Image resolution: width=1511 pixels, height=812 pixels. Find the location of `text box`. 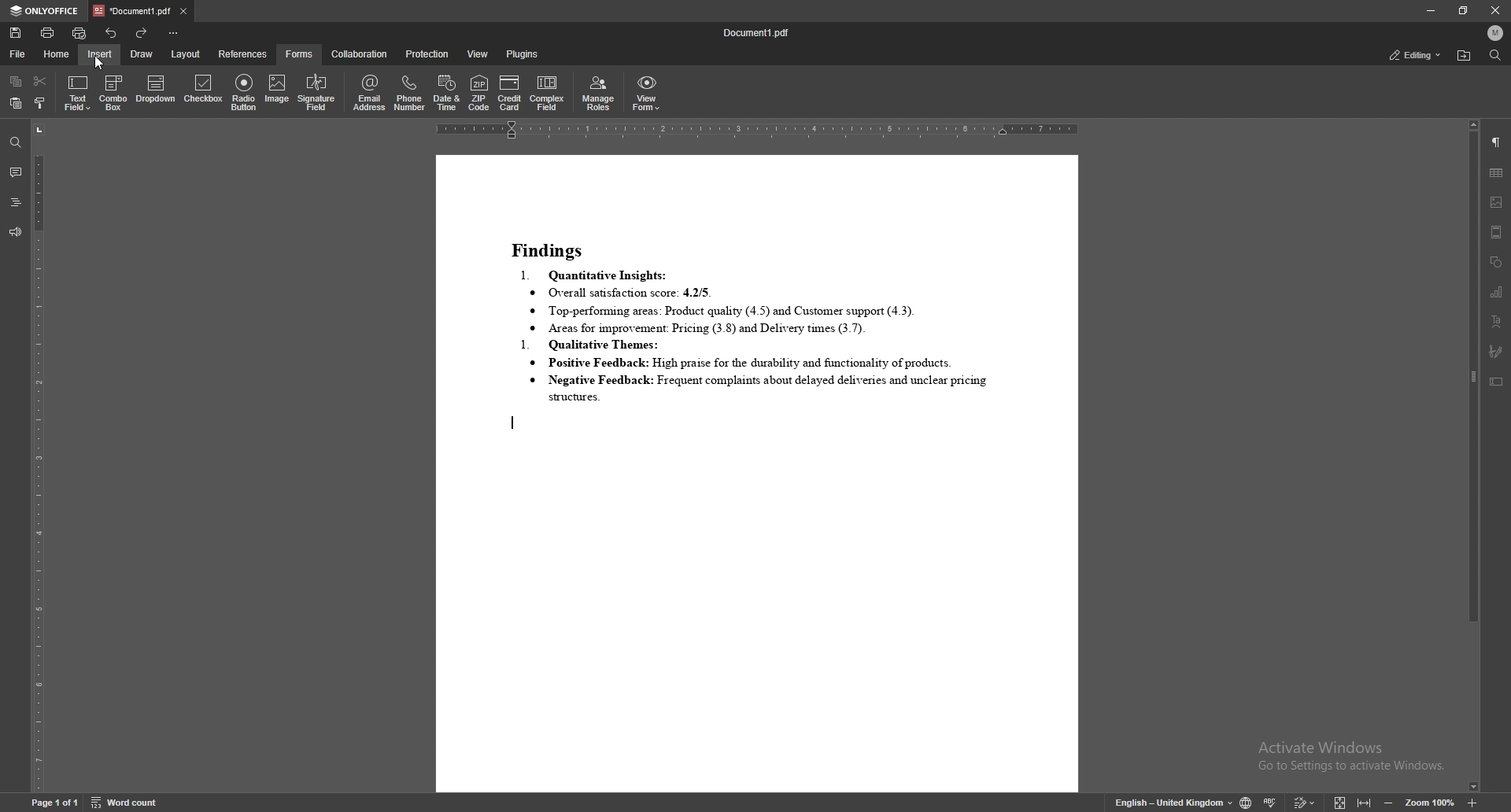

text box is located at coordinates (1496, 382).